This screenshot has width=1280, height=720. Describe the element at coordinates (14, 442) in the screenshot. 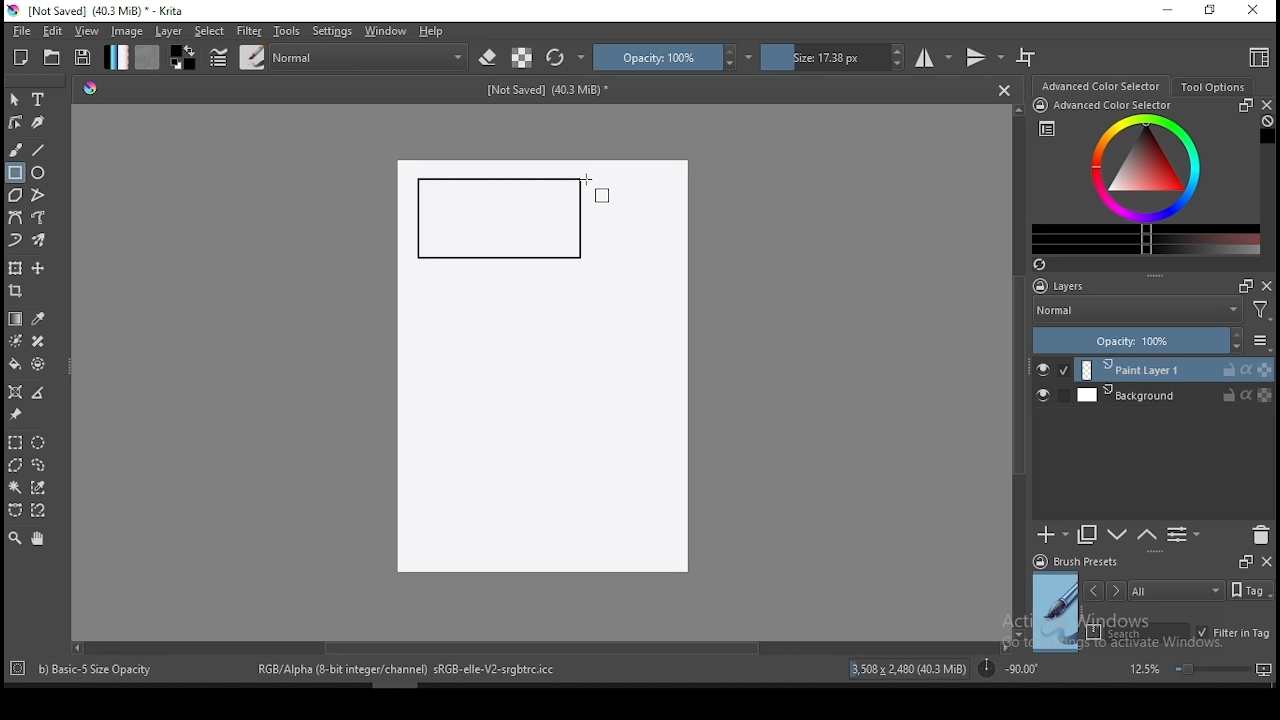

I see `rectangular selection tool` at that location.